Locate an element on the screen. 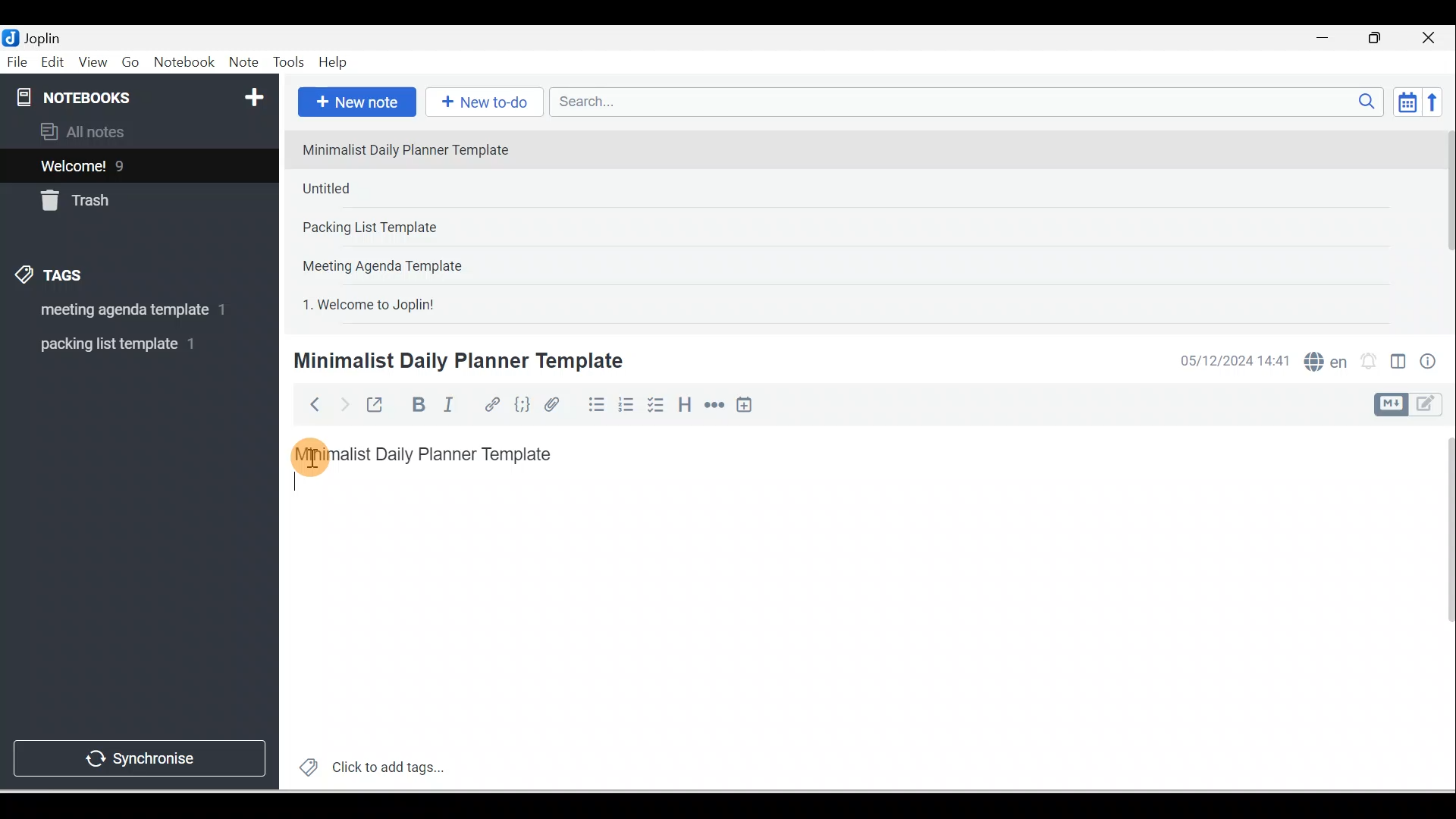 Image resolution: width=1456 pixels, height=819 pixels. View is located at coordinates (93, 63).